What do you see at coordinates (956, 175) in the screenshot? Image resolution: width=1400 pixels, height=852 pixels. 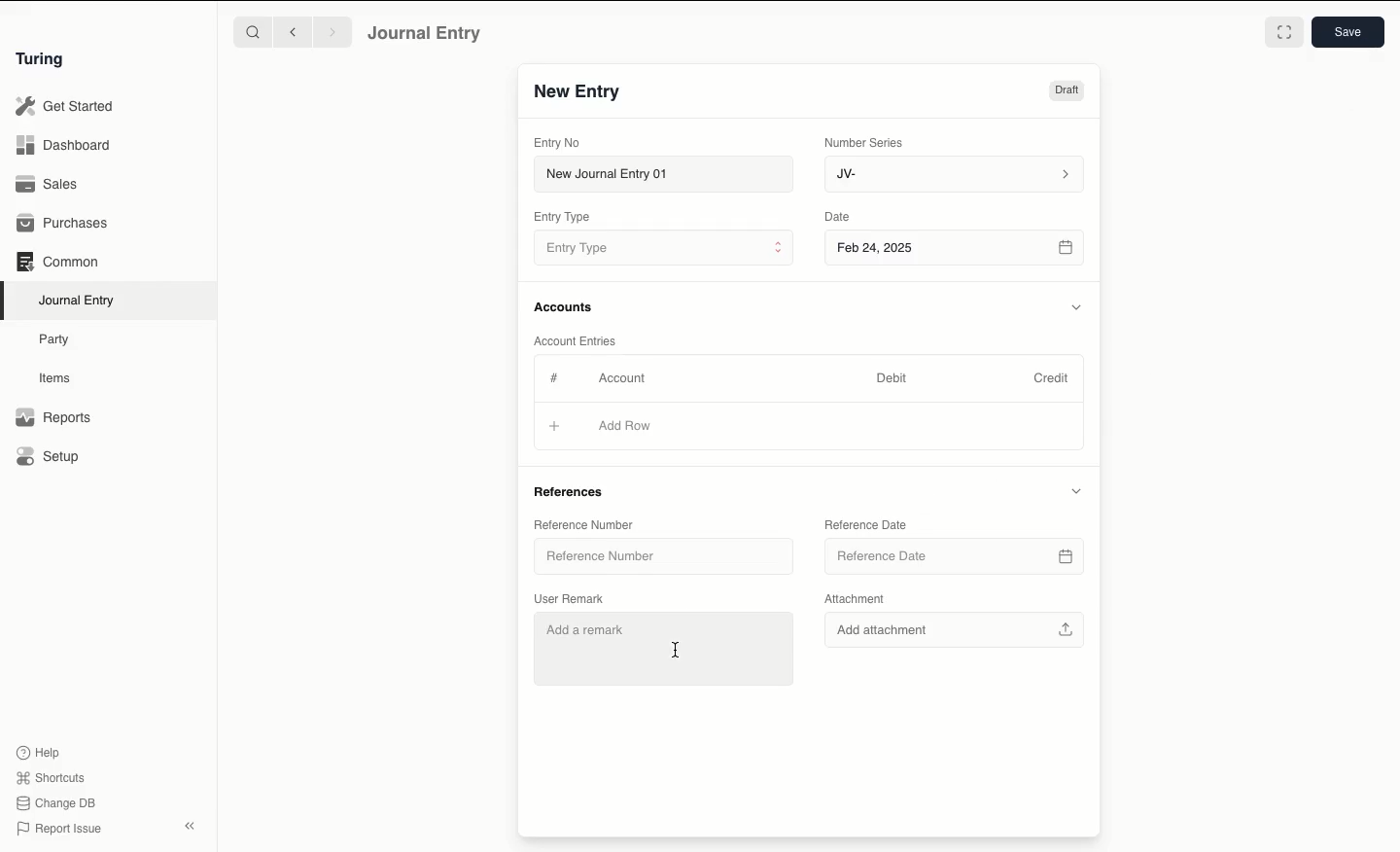 I see `JV-` at bounding box center [956, 175].